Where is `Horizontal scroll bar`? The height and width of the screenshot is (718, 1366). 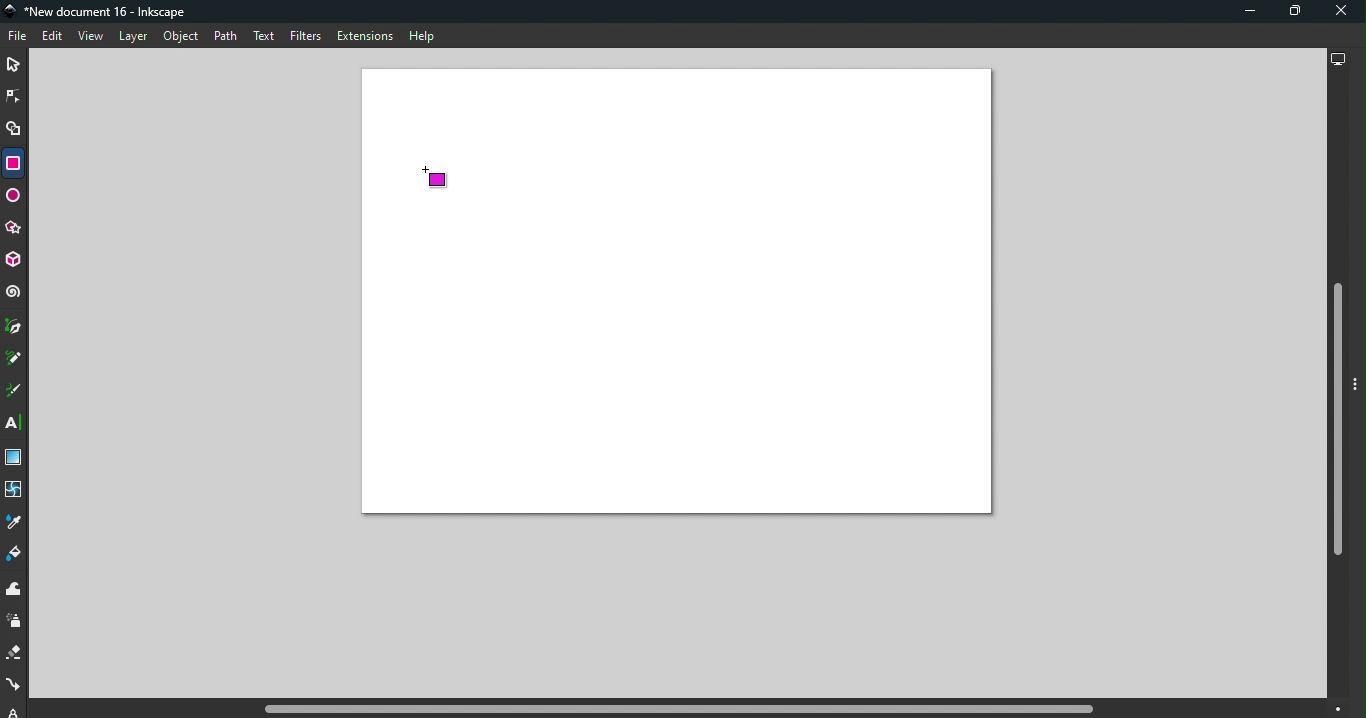
Horizontal scroll bar is located at coordinates (682, 709).